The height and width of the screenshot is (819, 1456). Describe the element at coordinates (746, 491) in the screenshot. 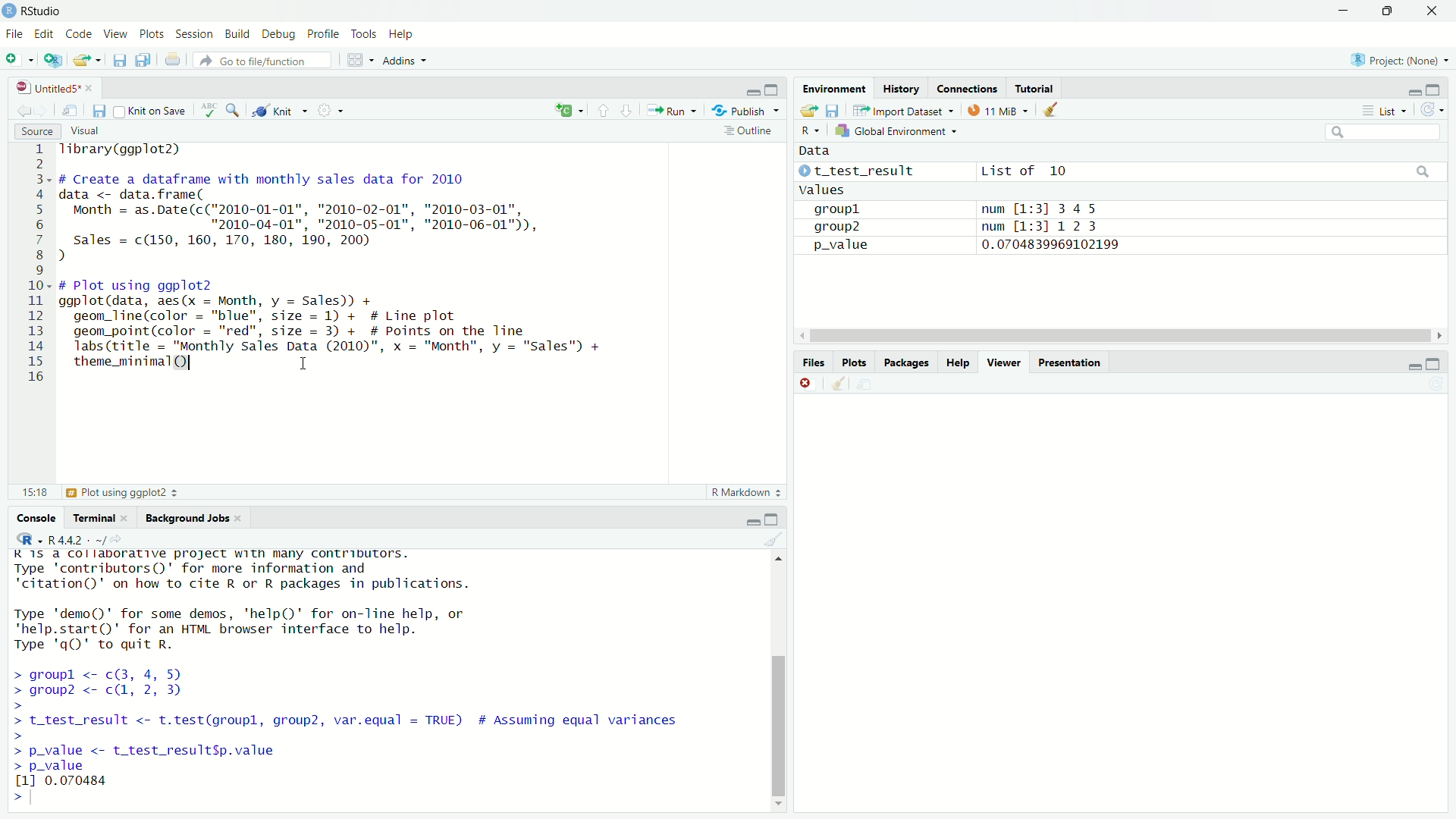

I see `R Markdown` at that location.